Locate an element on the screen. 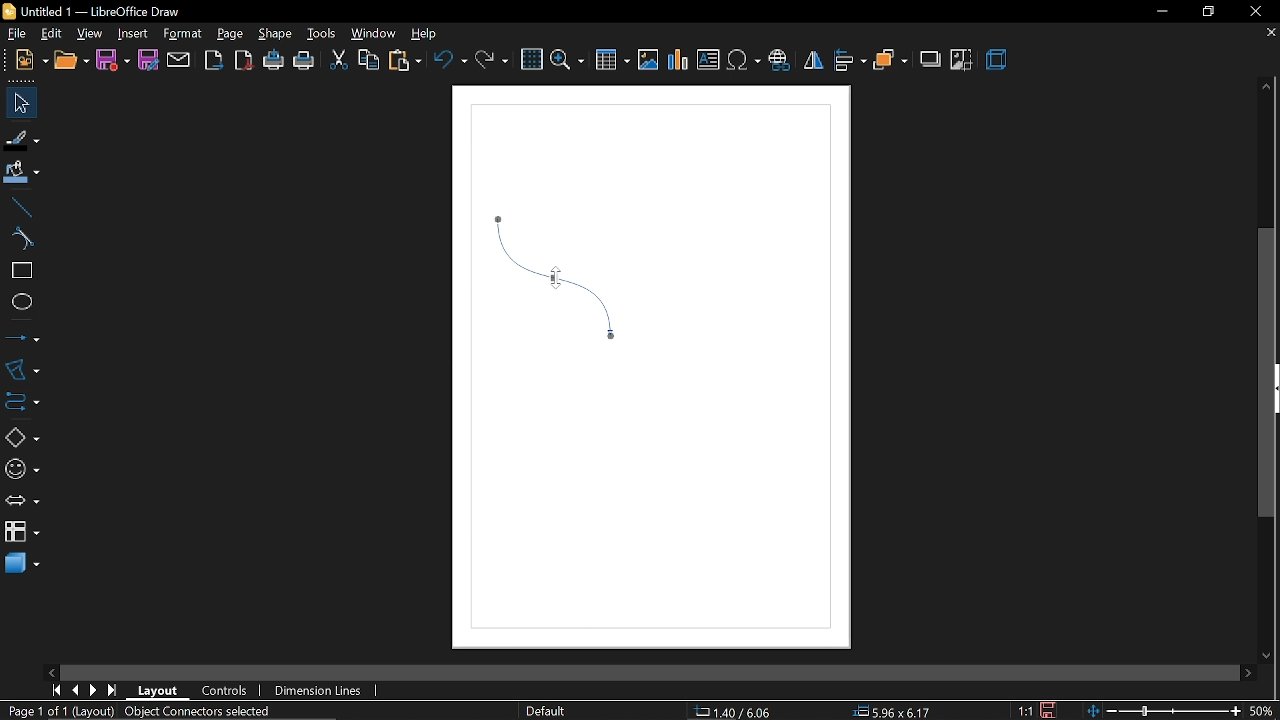 This screenshot has height=720, width=1280. dimension lines is located at coordinates (321, 691).